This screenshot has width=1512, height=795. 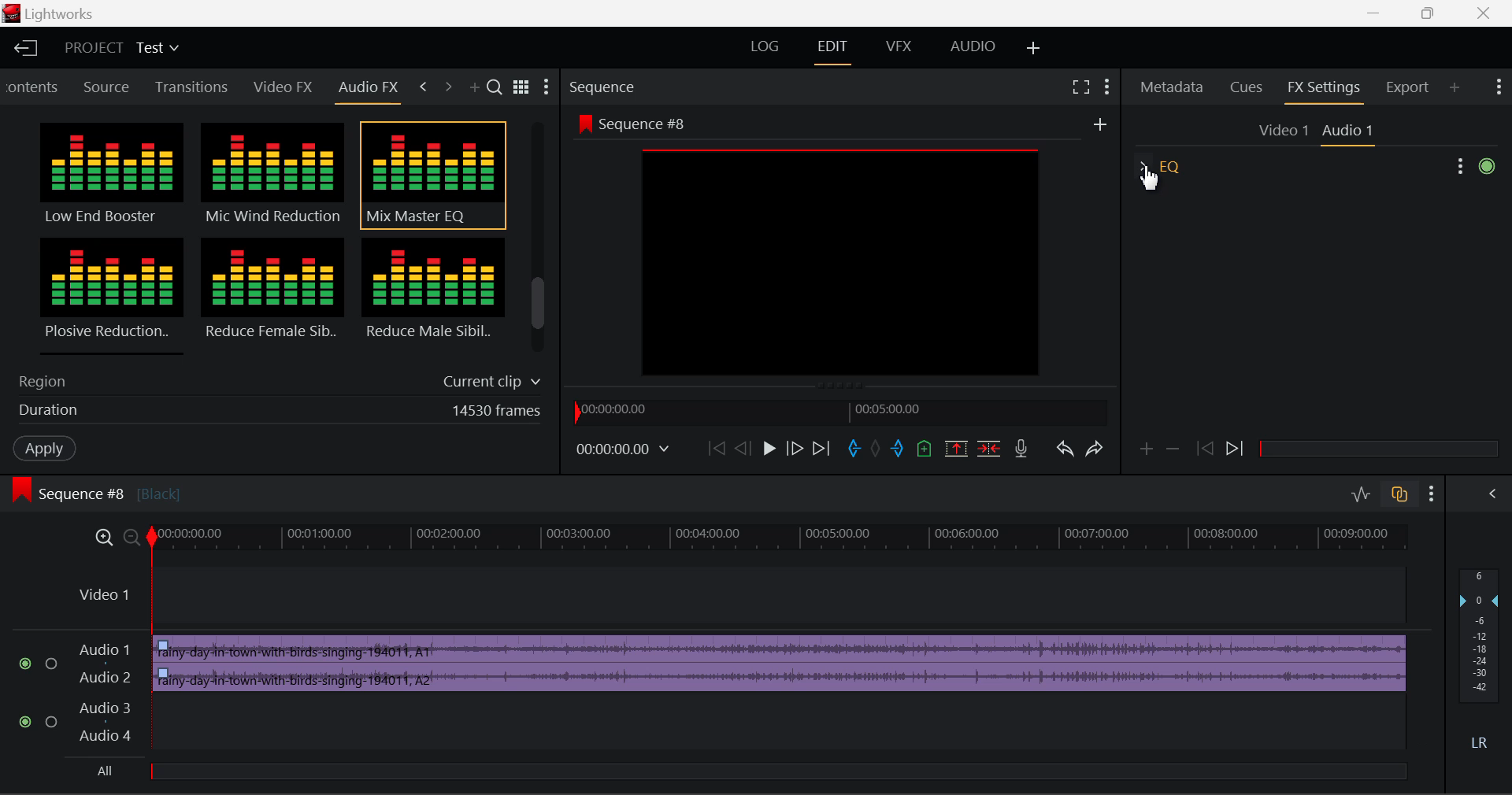 I want to click on remove keyframe, so click(x=1177, y=449).